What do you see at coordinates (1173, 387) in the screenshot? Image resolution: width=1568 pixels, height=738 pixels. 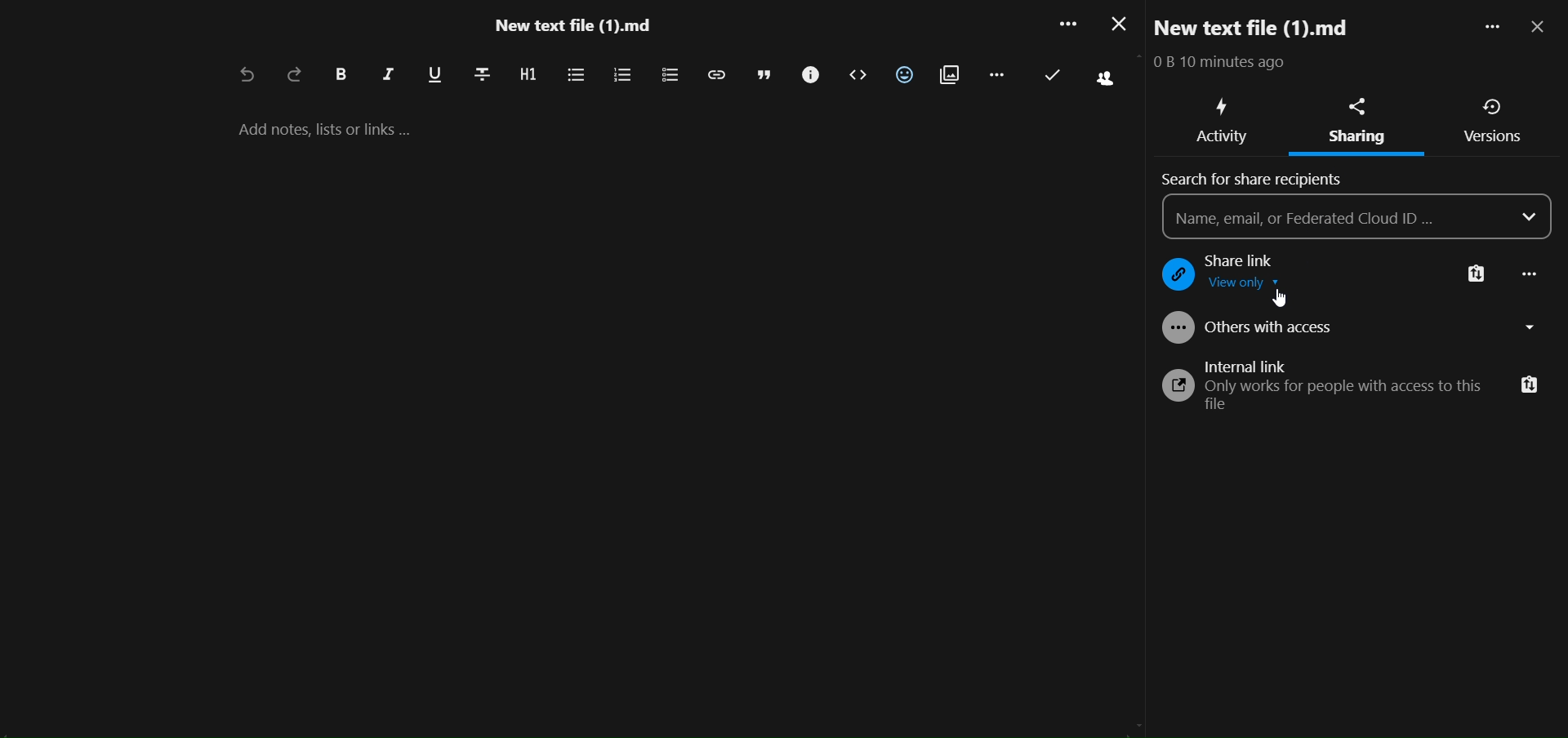 I see `logo` at bounding box center [1173, 387].